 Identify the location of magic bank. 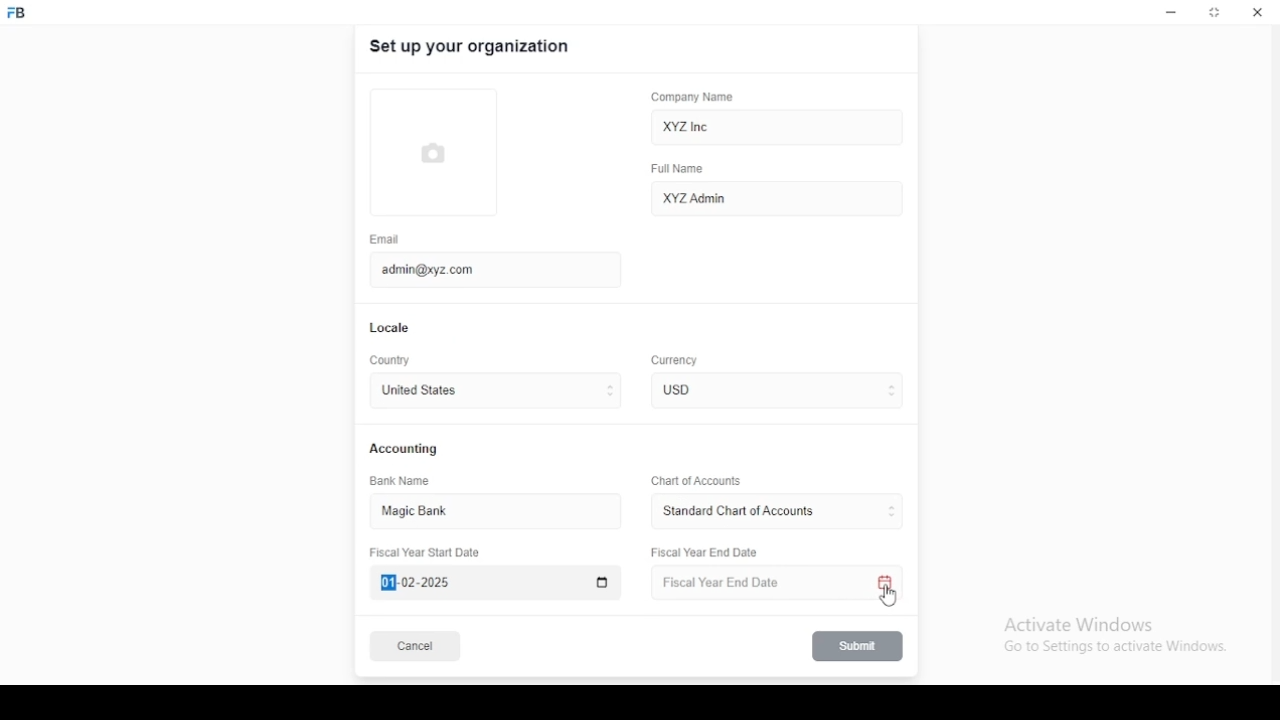
(423, 512).